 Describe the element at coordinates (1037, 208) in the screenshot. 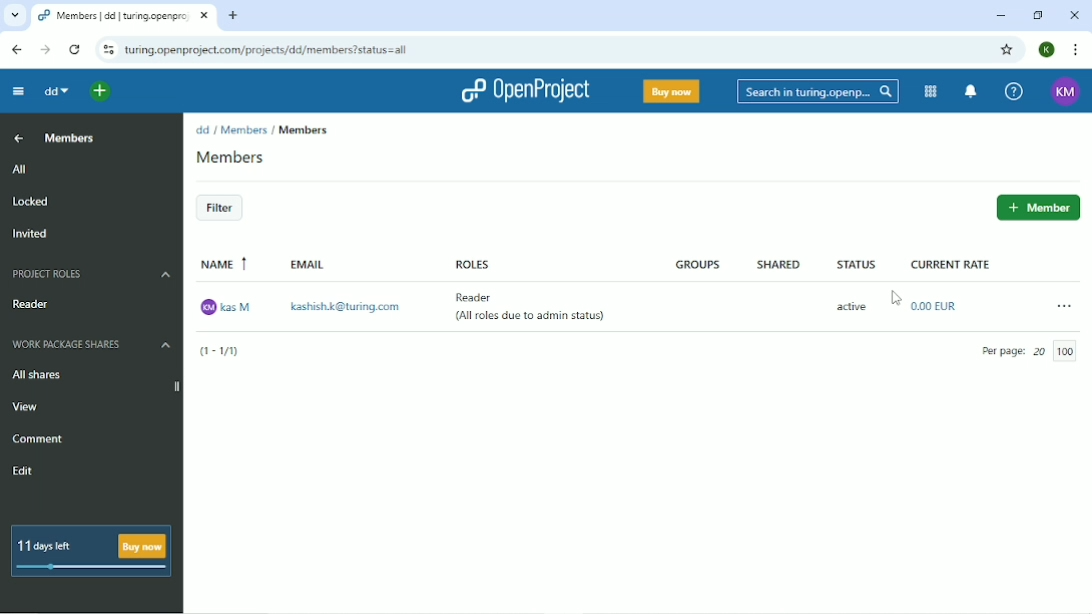

I see `Add Member` at that location.